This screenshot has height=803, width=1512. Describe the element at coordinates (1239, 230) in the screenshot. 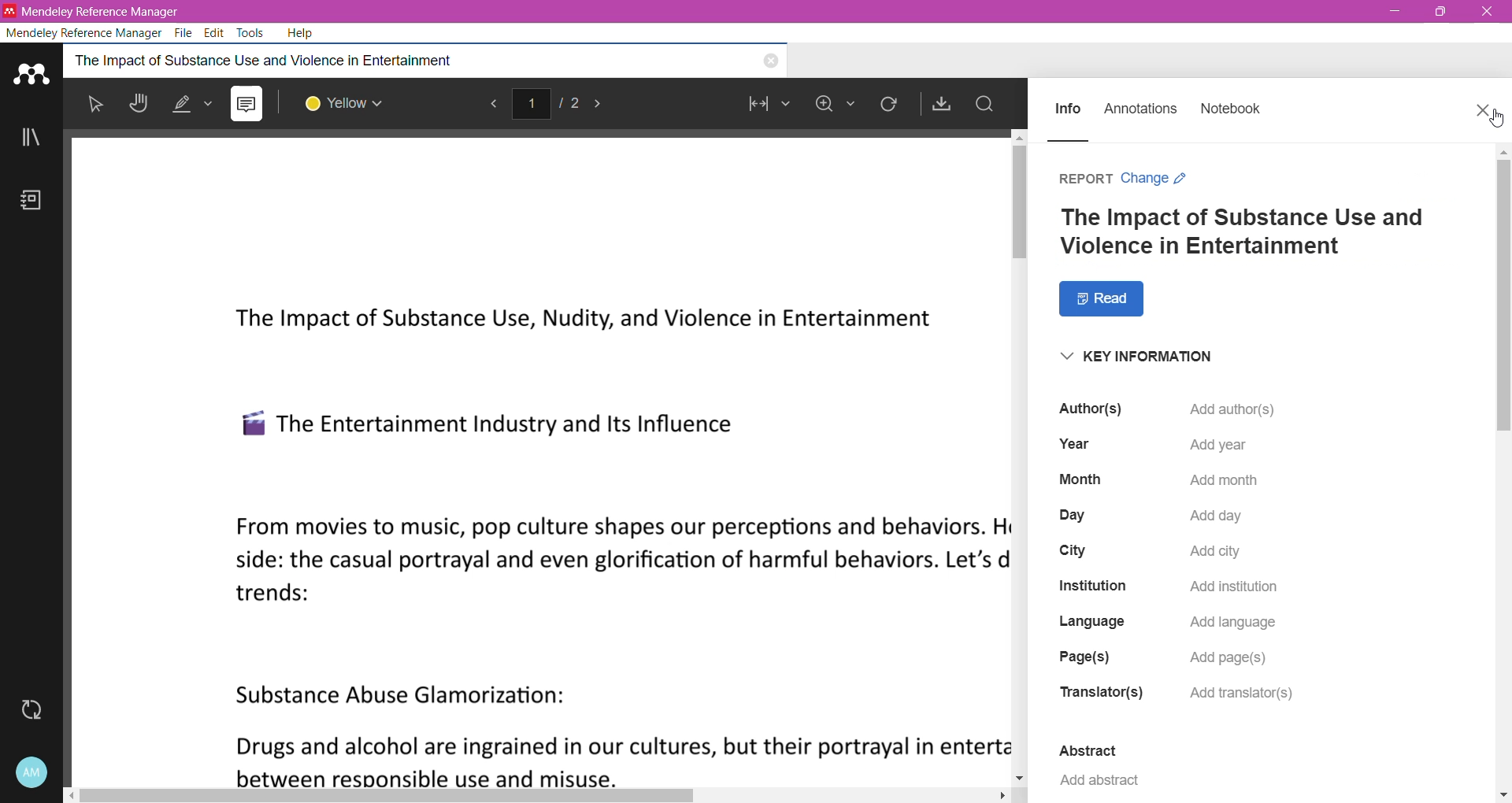

I see `Reference Title` at that location.